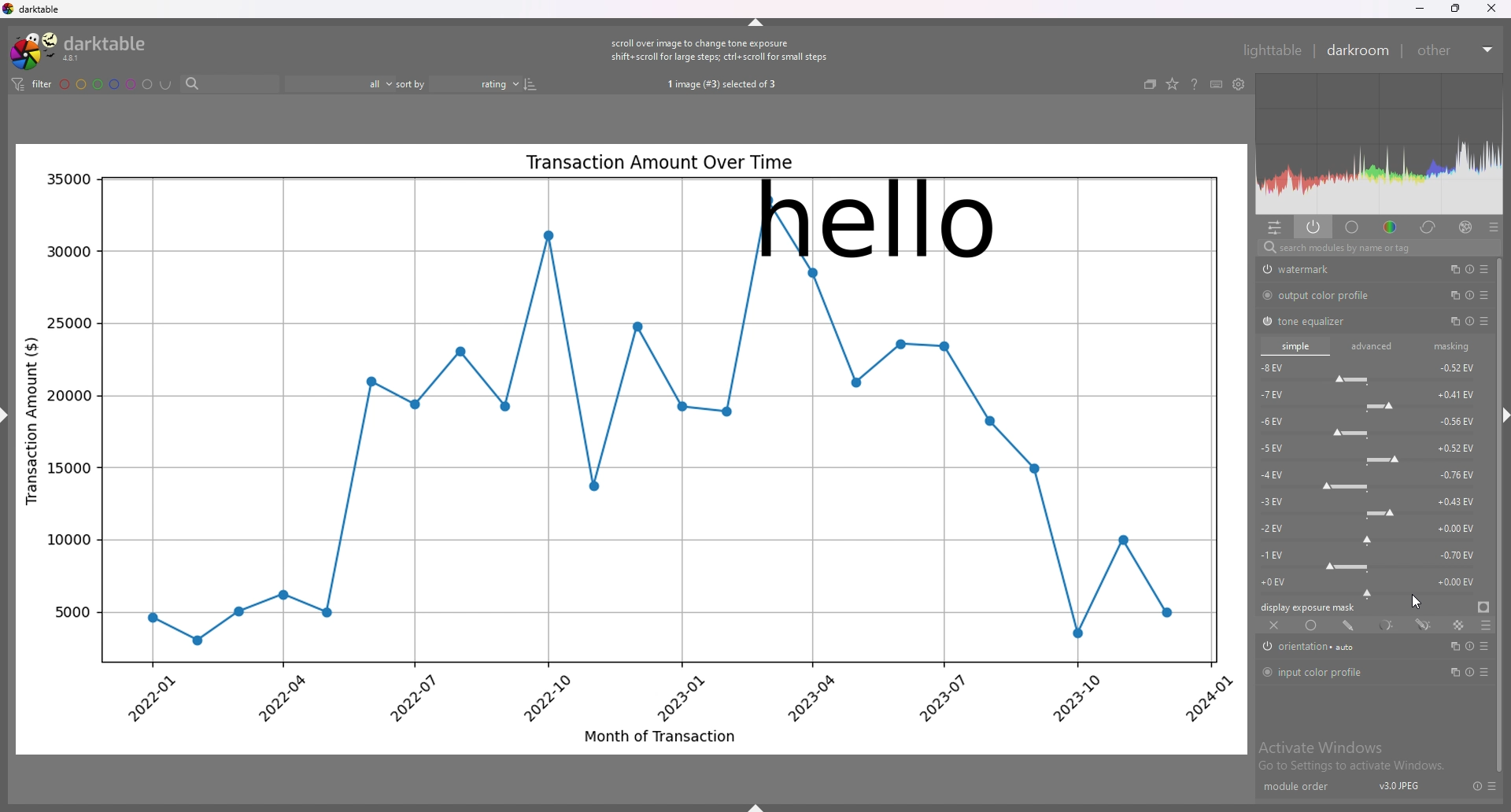 The height and width of the screenshot is (812, 1511). Describe the element at coordinates (410, 697) in the screenshot. I see `2022-07` at that location.